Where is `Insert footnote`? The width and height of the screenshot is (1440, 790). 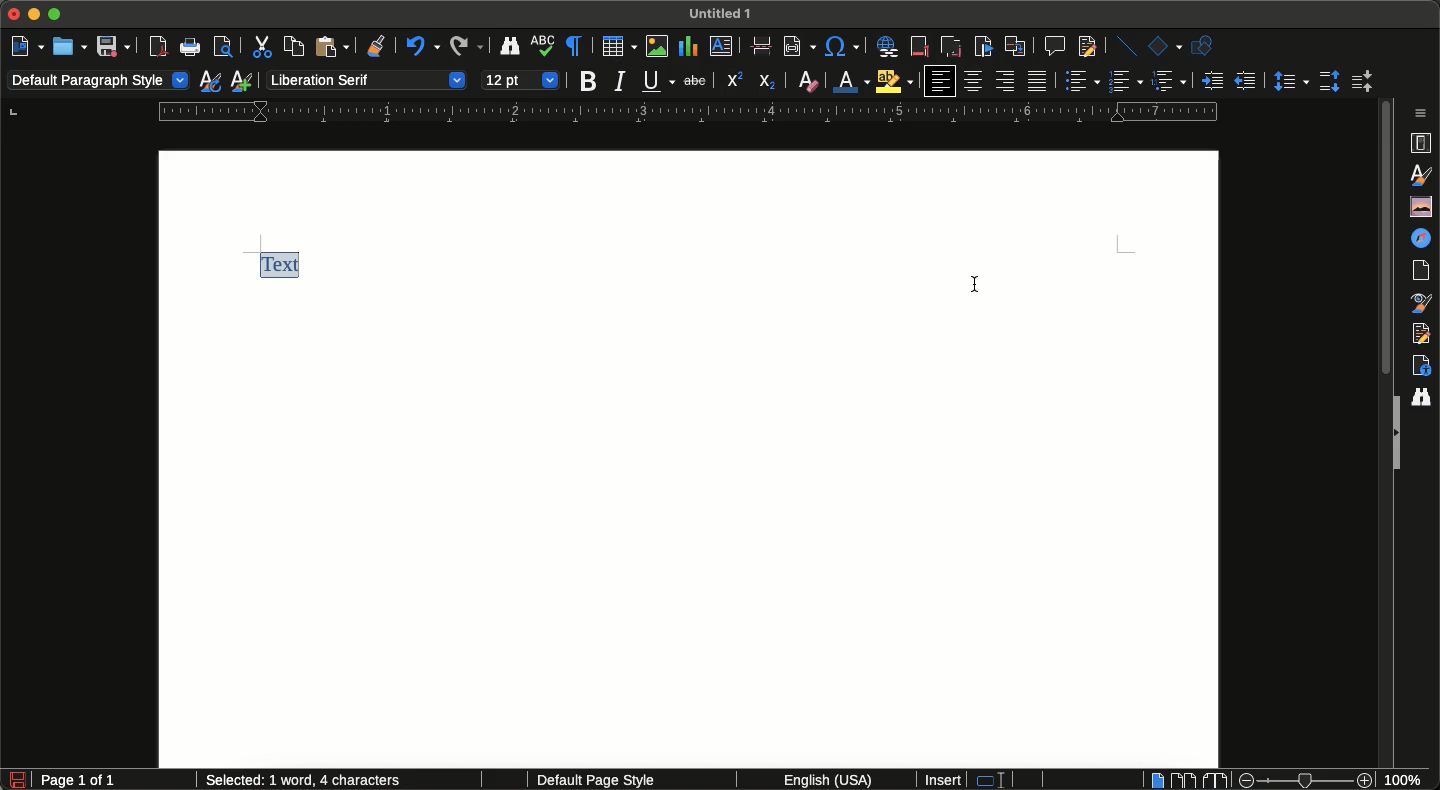
Insert footnote is located at coordinates (920, 48).